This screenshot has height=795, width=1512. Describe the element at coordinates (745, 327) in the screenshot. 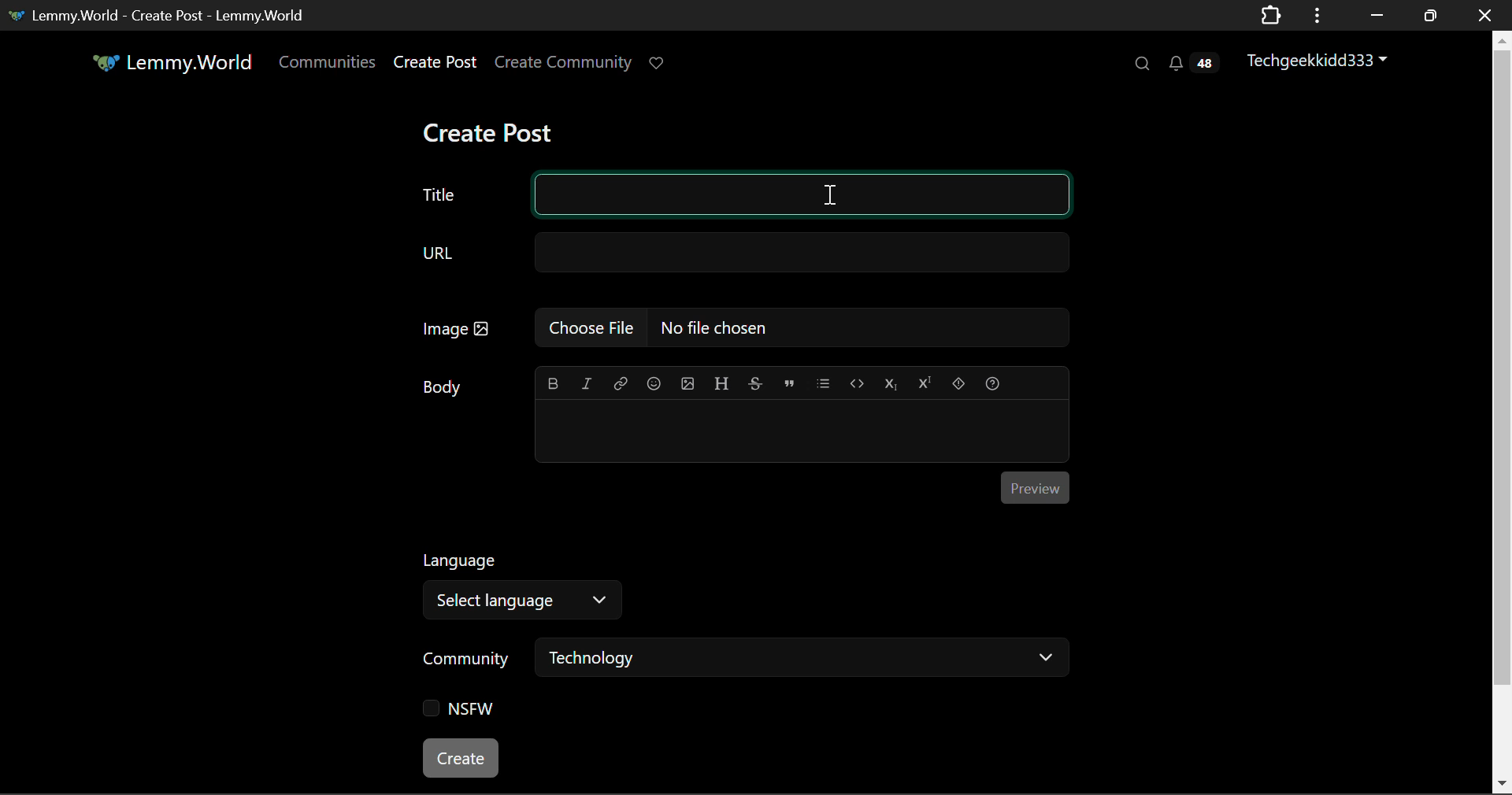

I see `Insert Image Field` at that location.